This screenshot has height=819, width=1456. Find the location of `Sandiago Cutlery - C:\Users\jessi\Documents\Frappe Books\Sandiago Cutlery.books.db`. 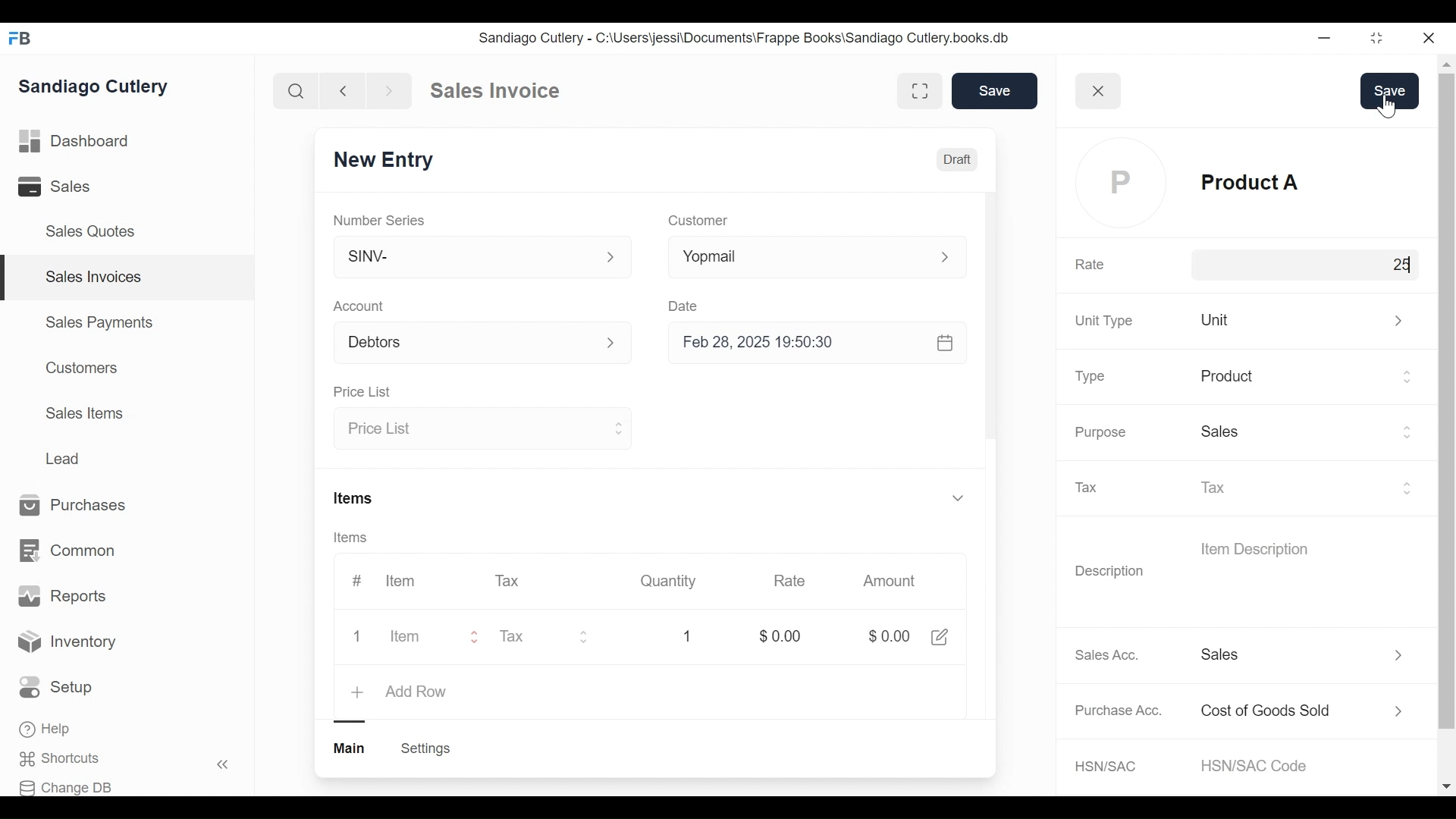

Sandiago Cutlery - C:\Users\jessi\Documents\Frappe Books\Sandiago Cutlery.books.db is located at coordinates (742, 37).